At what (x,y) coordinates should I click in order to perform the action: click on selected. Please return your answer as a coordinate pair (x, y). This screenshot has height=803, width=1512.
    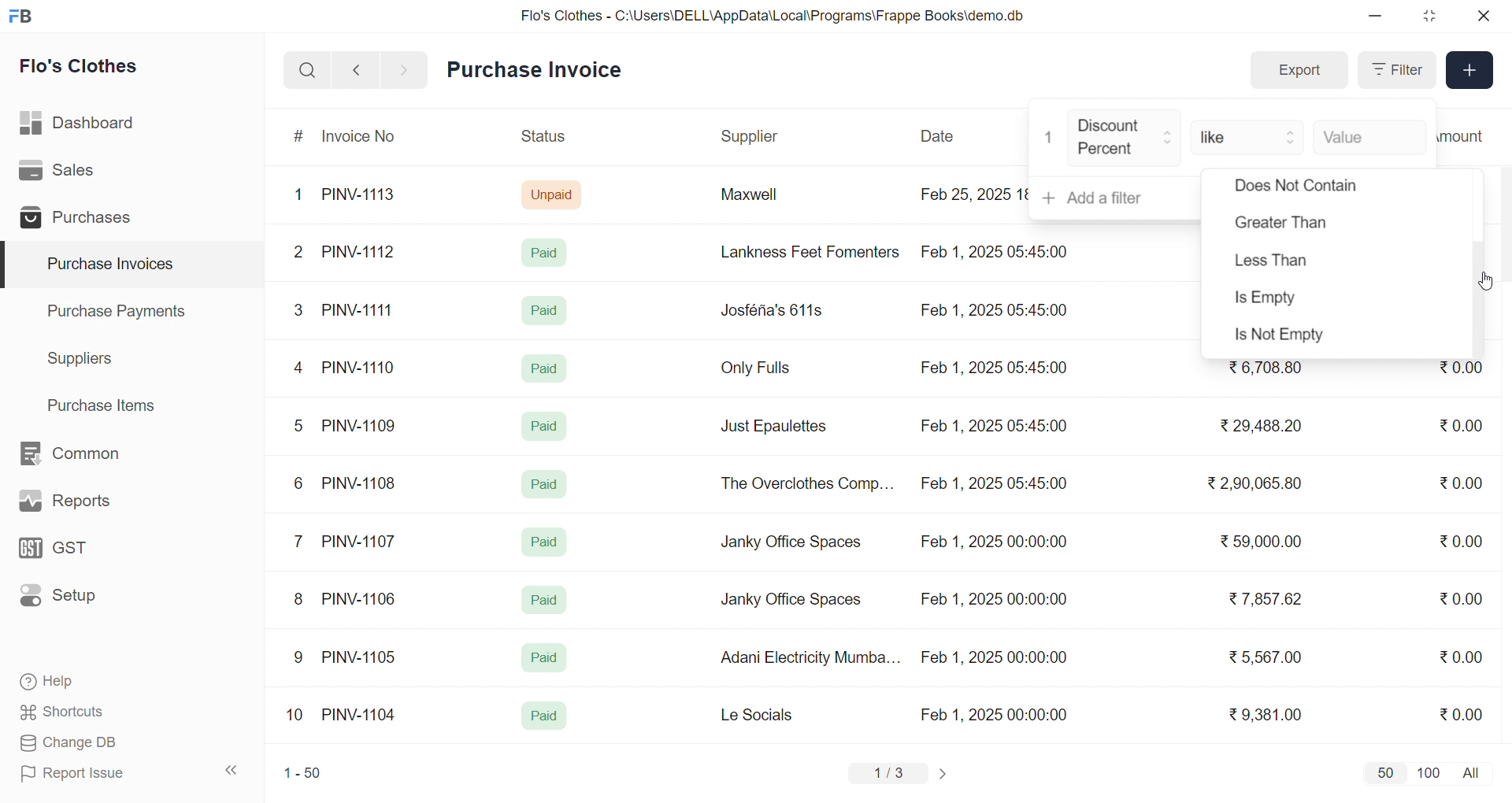
    Looking at the image, I should click on (9, 265).